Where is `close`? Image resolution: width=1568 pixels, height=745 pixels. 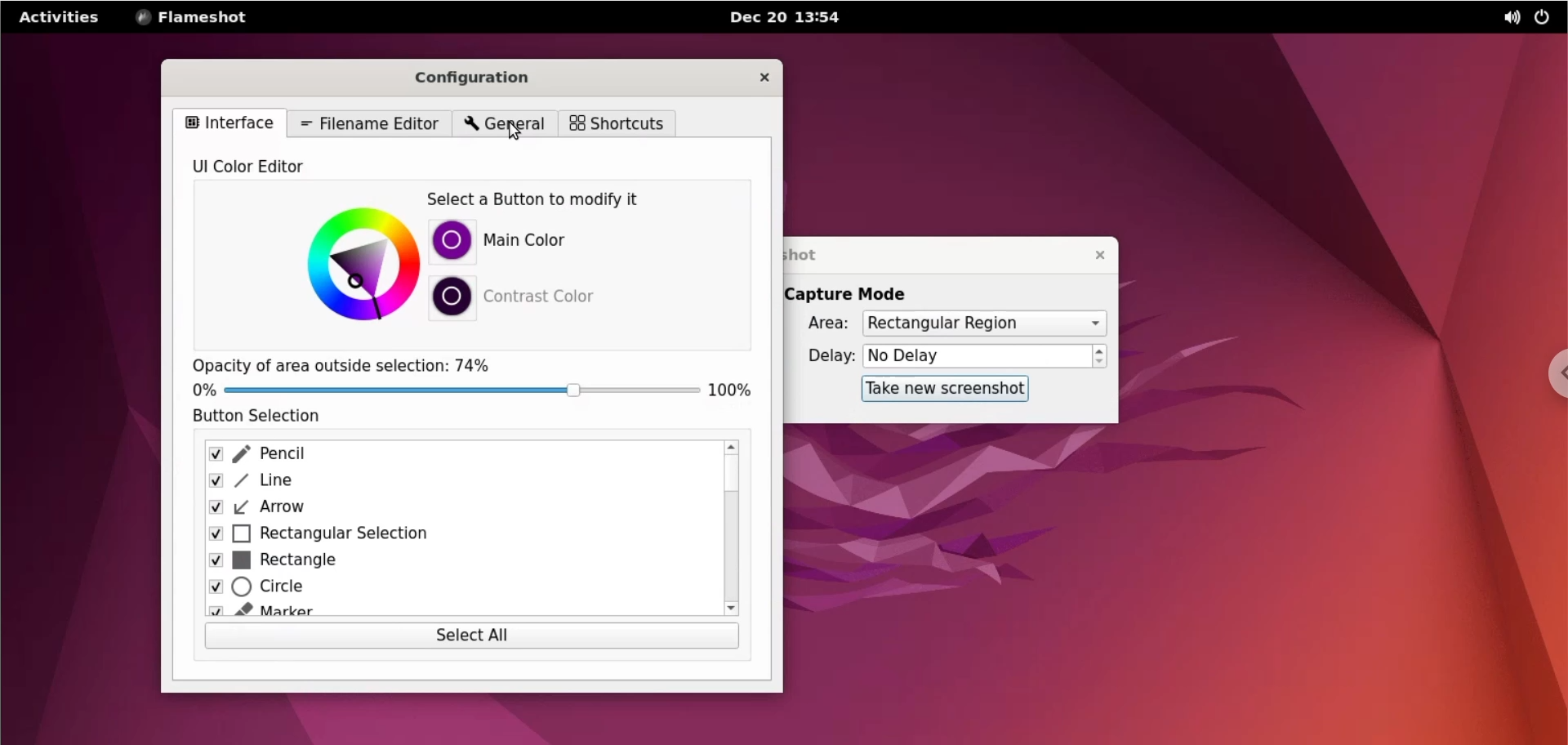
close is located at coordinates (764, 76).